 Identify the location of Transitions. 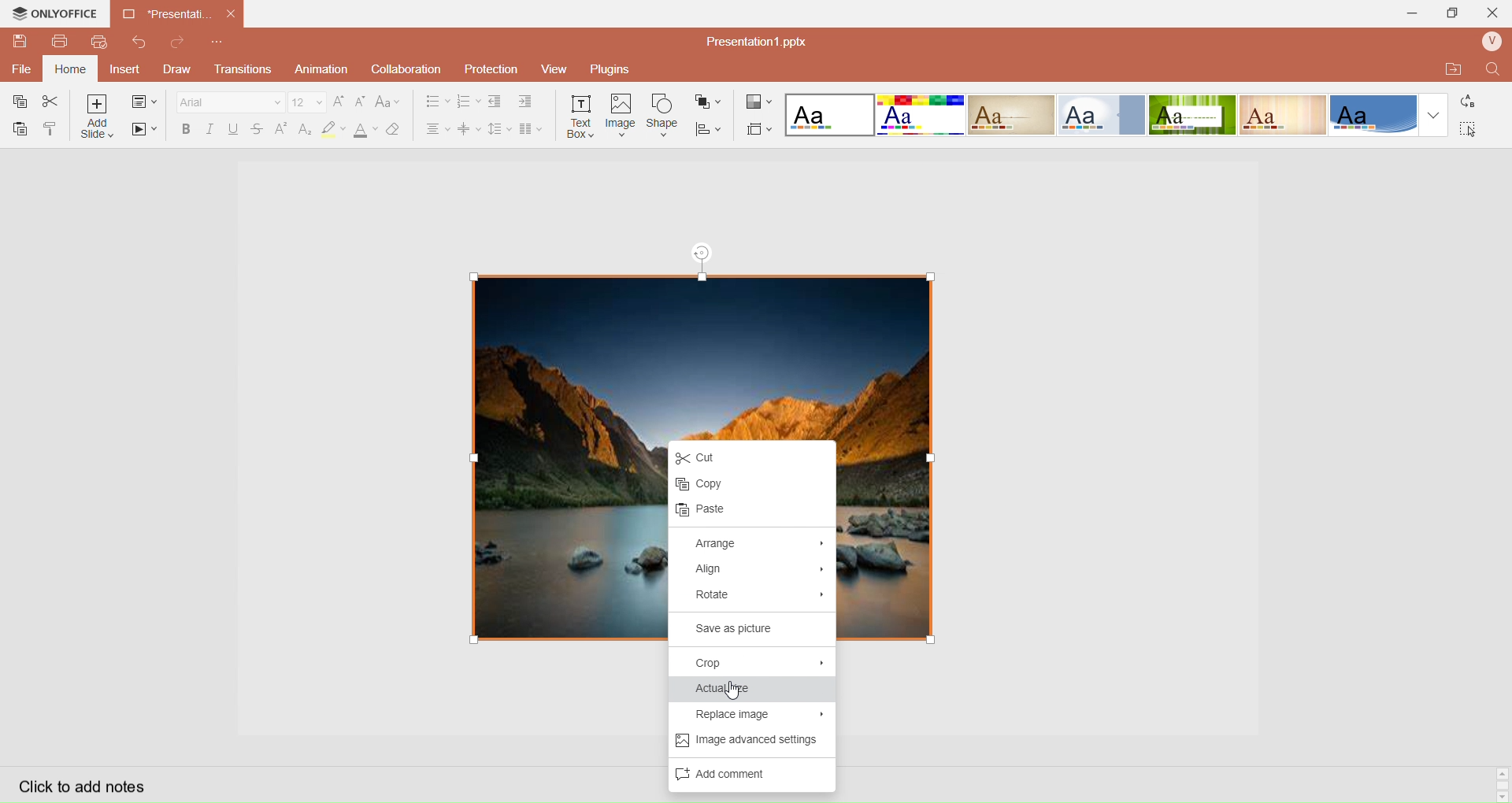
(242, 69).